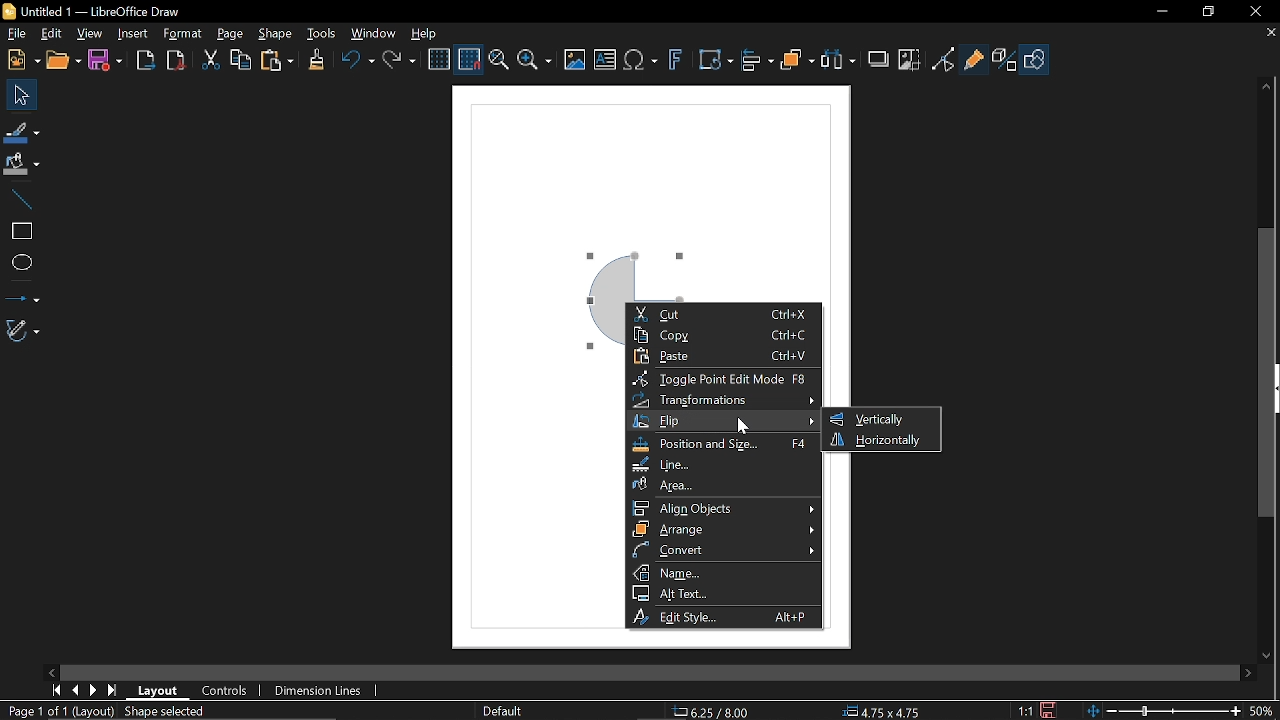 The width and height of the screenshot is (1280, 720). Describe the element at coordinates (1164, 711) in the screenshot. I see `Change zoom` at that location.